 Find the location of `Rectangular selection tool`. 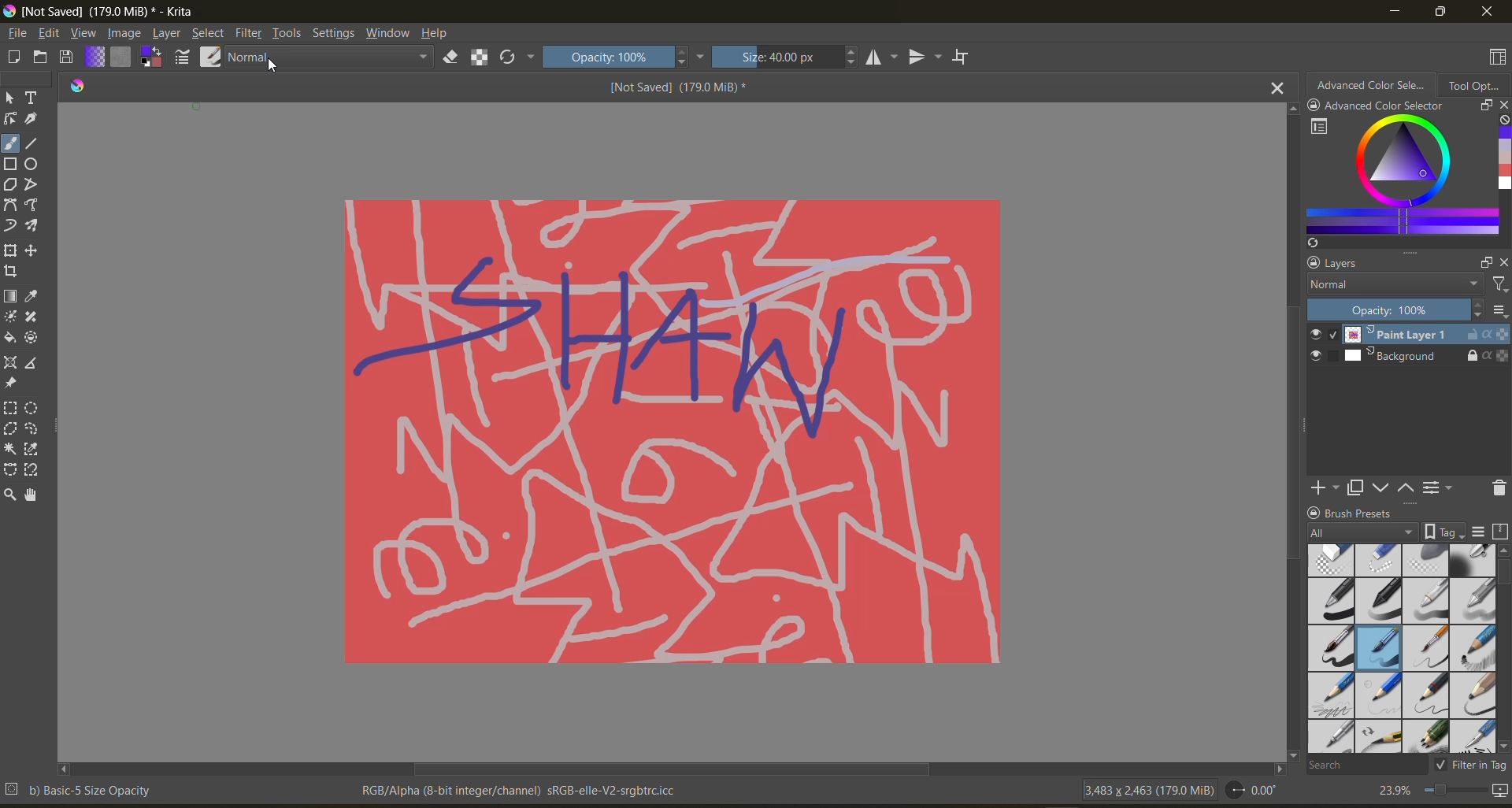

Rectangular selection tool is located at coordinates (10, 407).